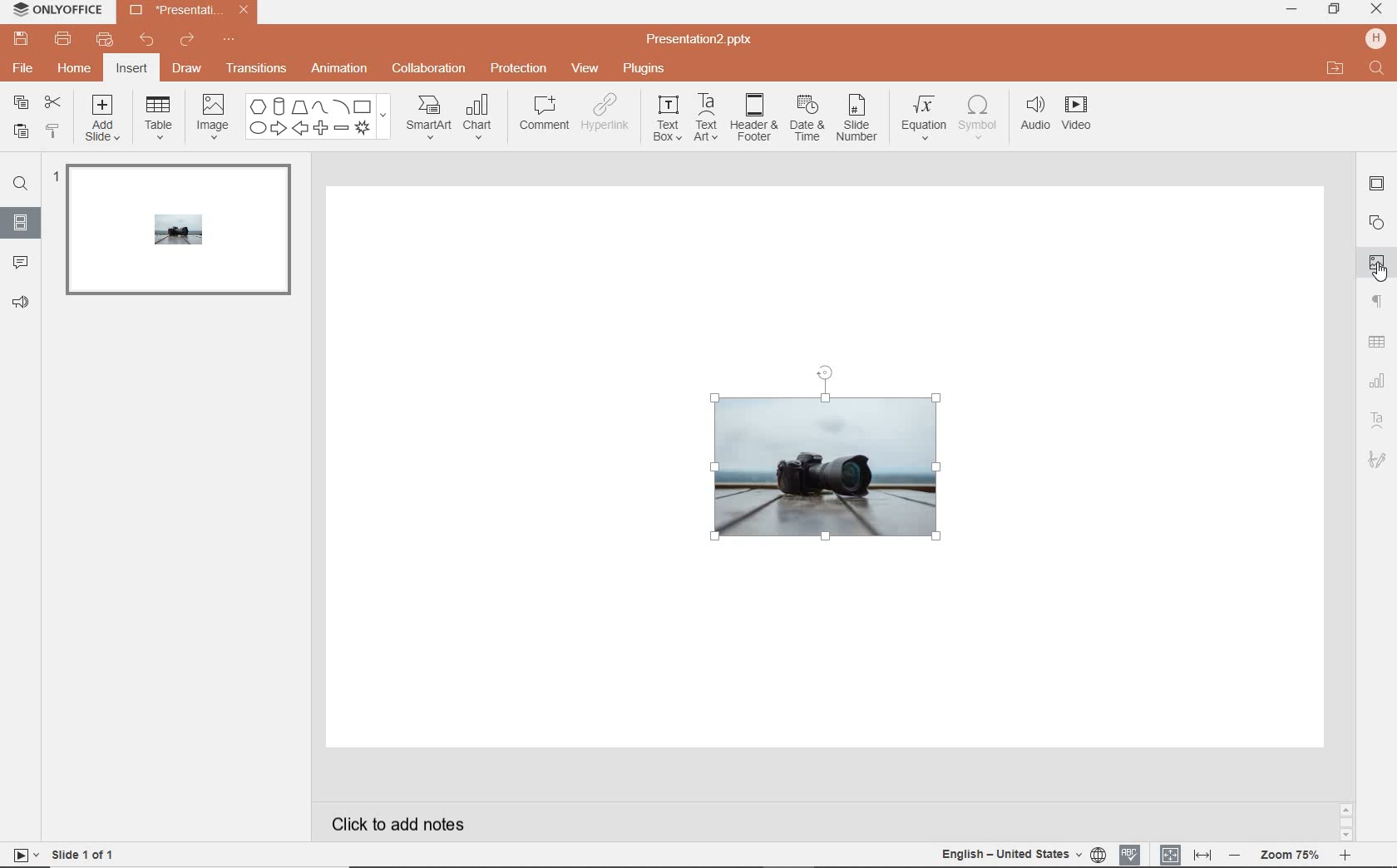 The height and width of the screenshot is (868, 1397). I want to click on fit to page, so click(1171, 854).